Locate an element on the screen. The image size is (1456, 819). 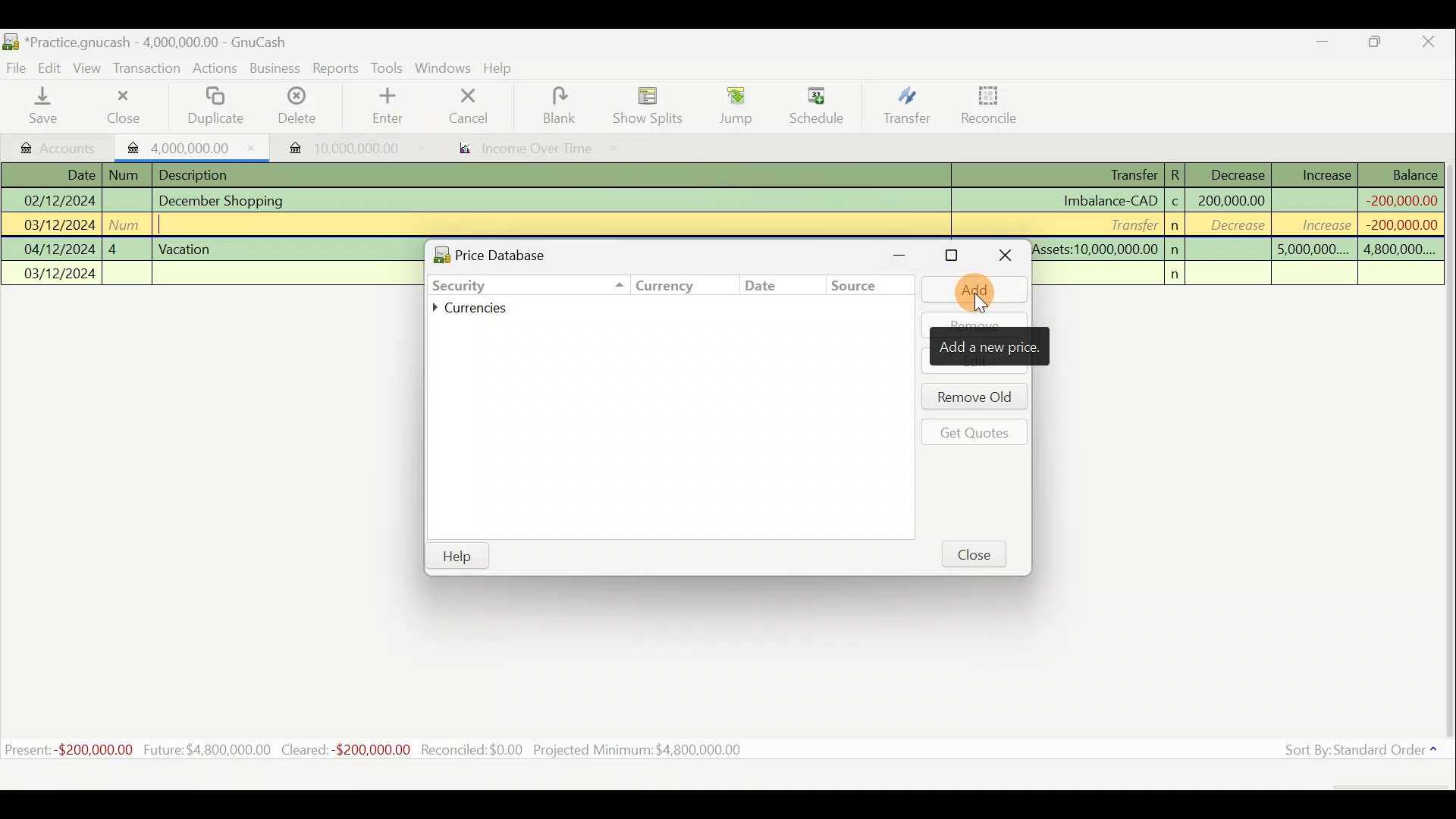
Reconcile is located at coordinates (984, 105).